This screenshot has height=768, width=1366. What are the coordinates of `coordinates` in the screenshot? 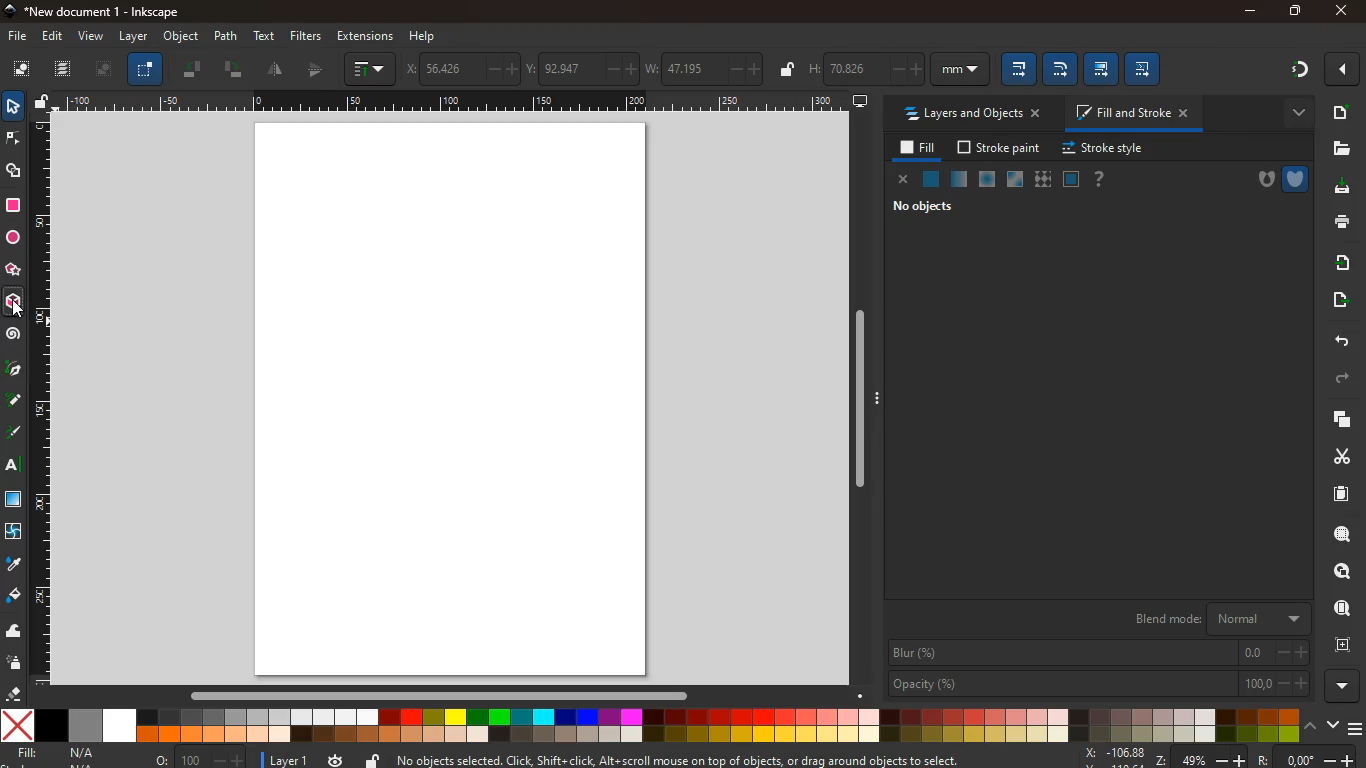 It's located at (586, 67).